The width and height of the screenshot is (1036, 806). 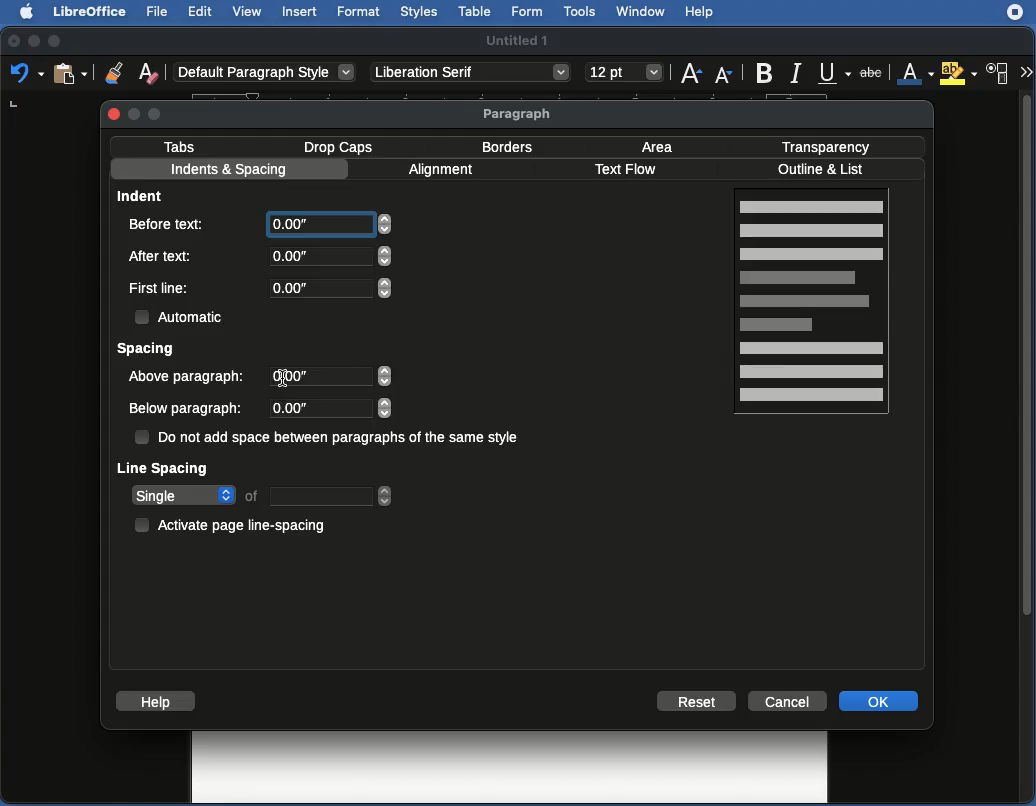 What do you see at coordinates (700, 13) in the screenshot?
I see `Help` at bounding box center [700, 13].